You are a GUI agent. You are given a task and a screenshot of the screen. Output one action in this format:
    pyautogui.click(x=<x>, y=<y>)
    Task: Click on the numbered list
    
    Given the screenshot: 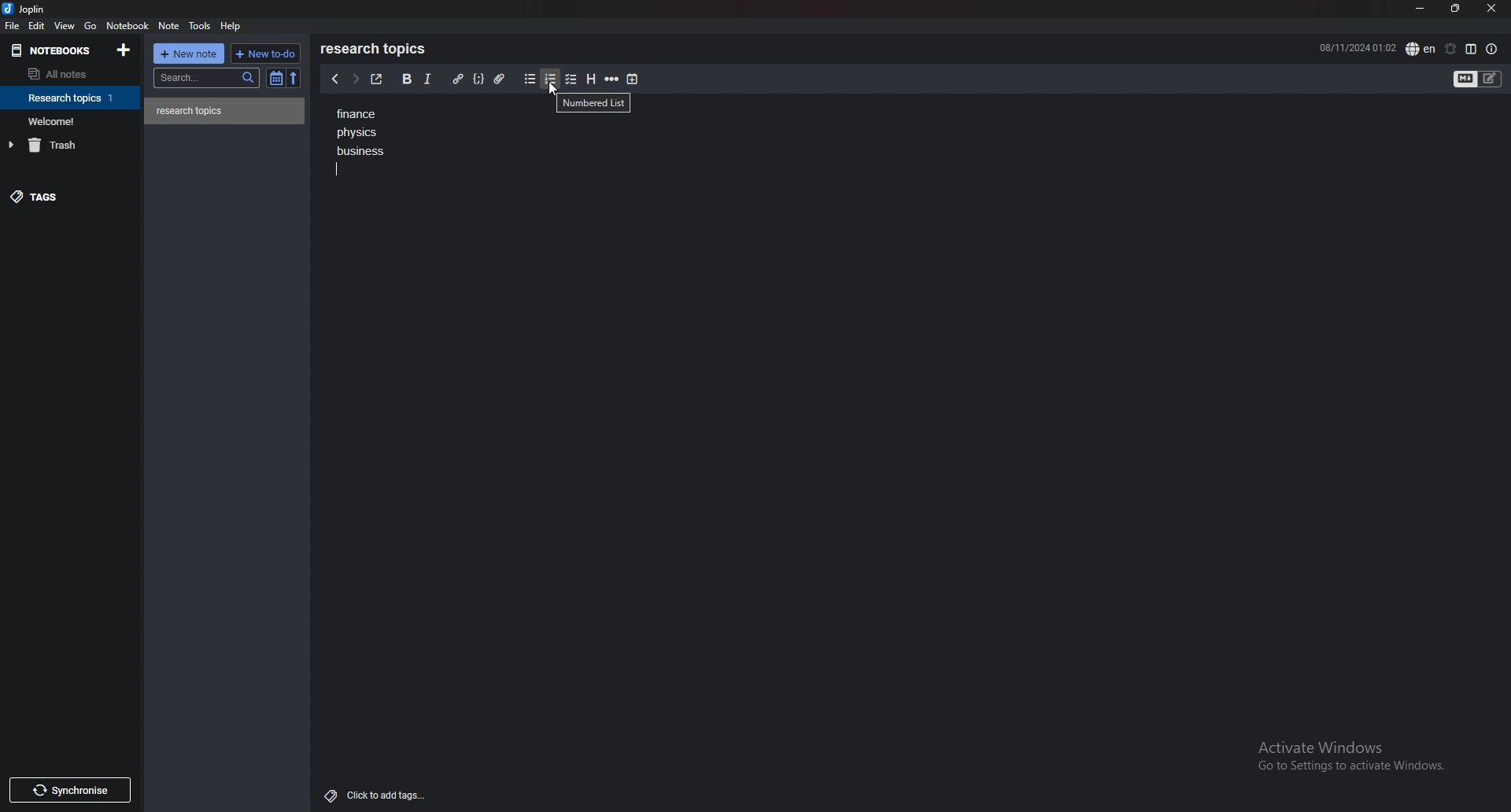 What is the action you would take?
    pyautogui.click(x=552, y=79)
    